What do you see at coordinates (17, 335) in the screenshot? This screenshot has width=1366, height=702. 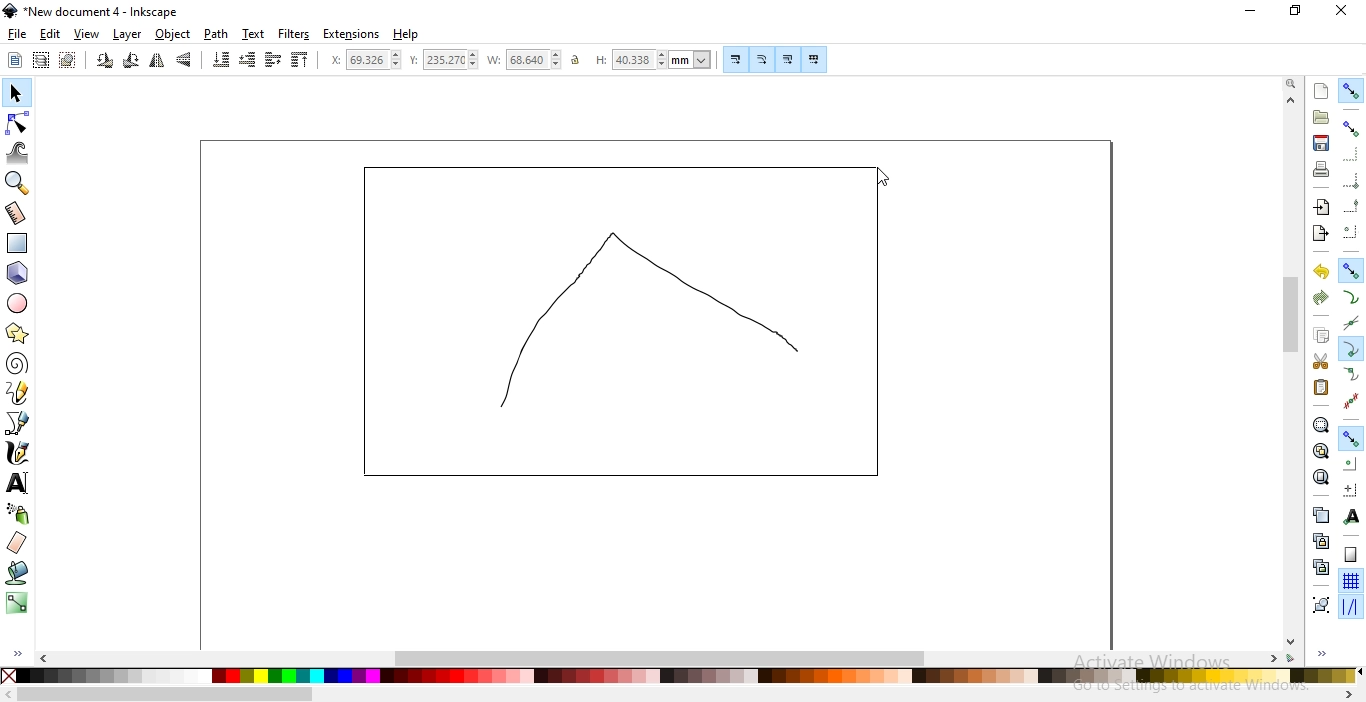 I see `create stars and polygons` at bounding box center [17, 335].